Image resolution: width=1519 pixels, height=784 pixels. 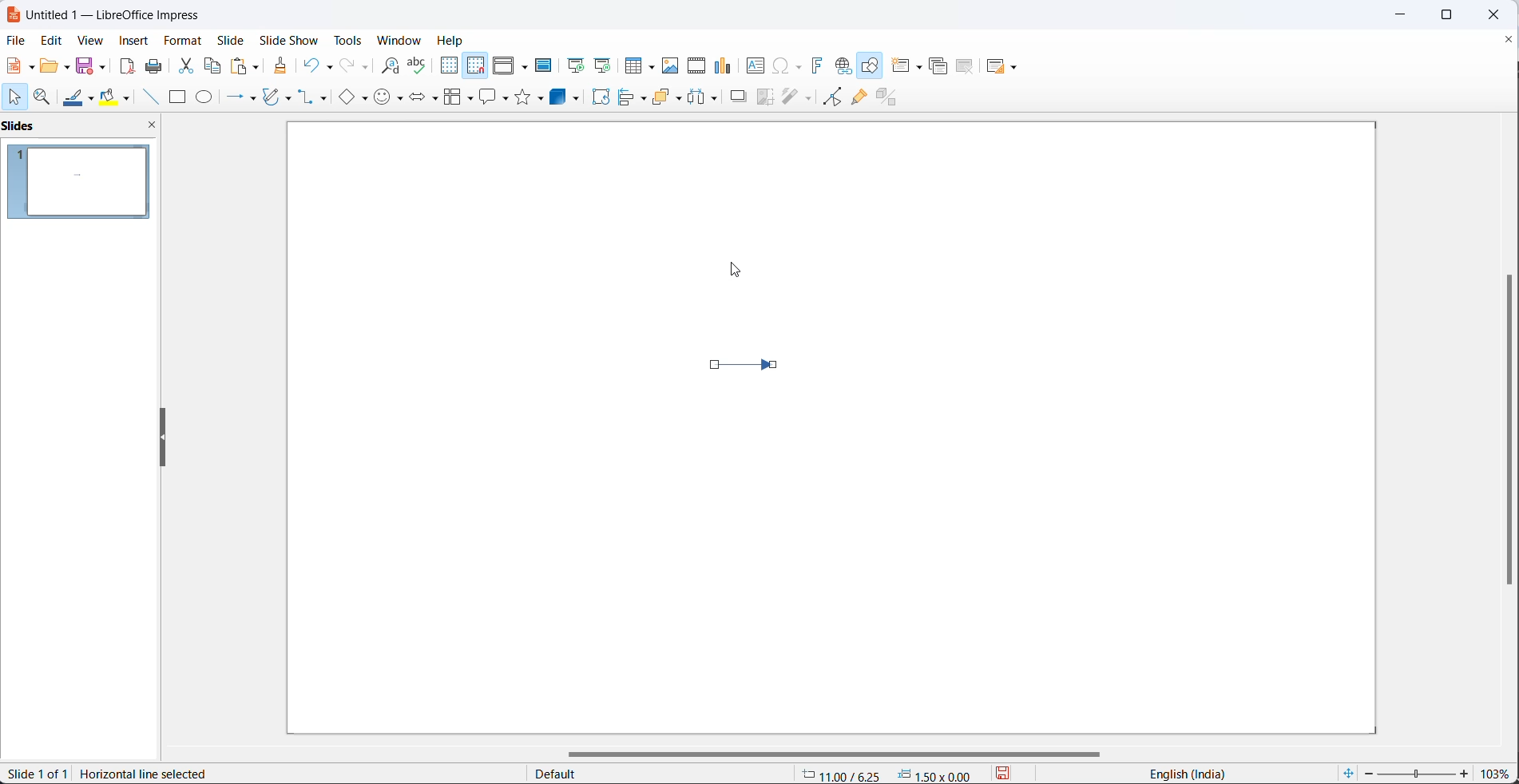 I want to click on minimize, so click(x=1400, y=14).